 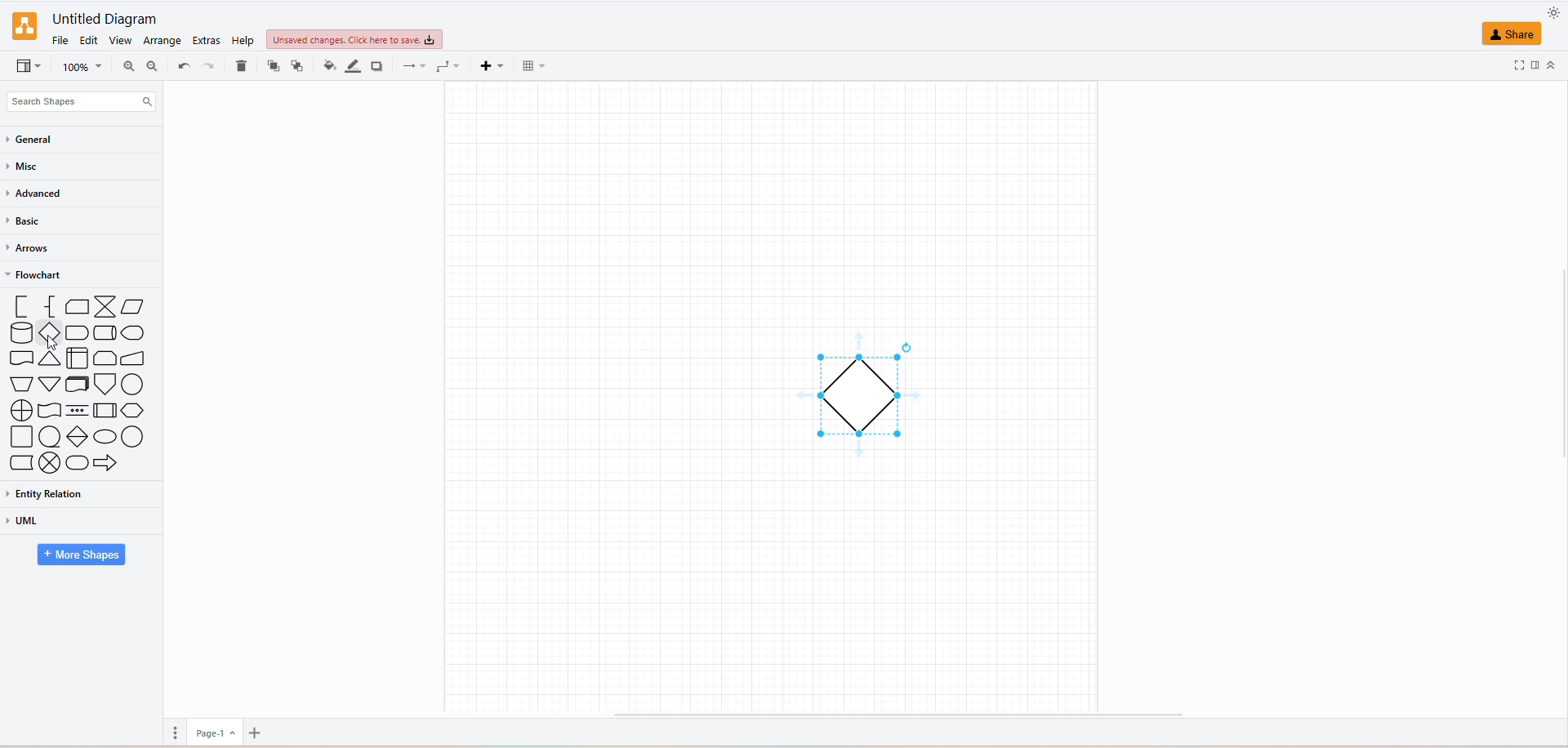 I want to click on VIEWSEARCH, so click(x=29, y=67).